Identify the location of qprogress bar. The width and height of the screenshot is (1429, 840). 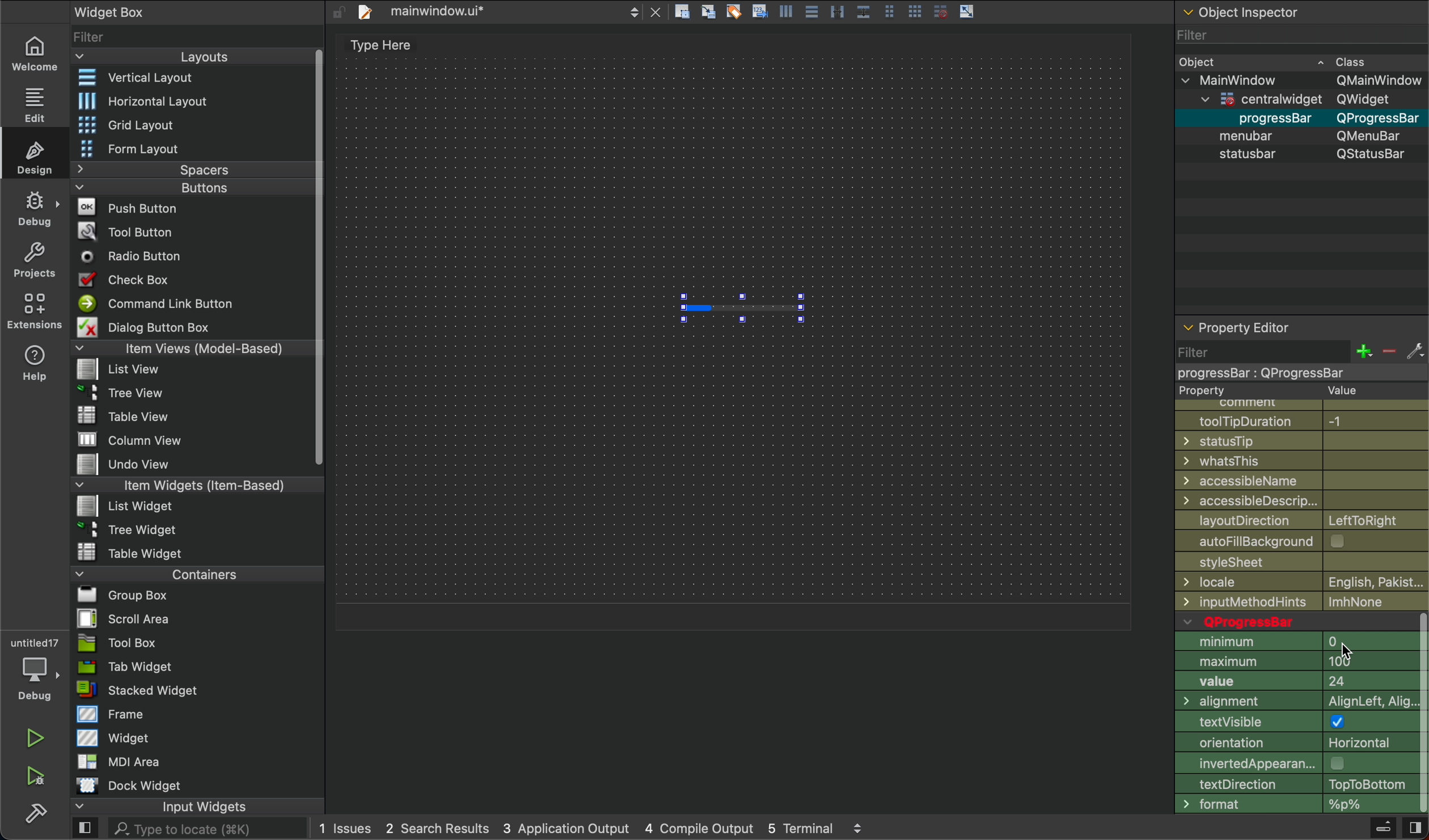
(1292, 621).